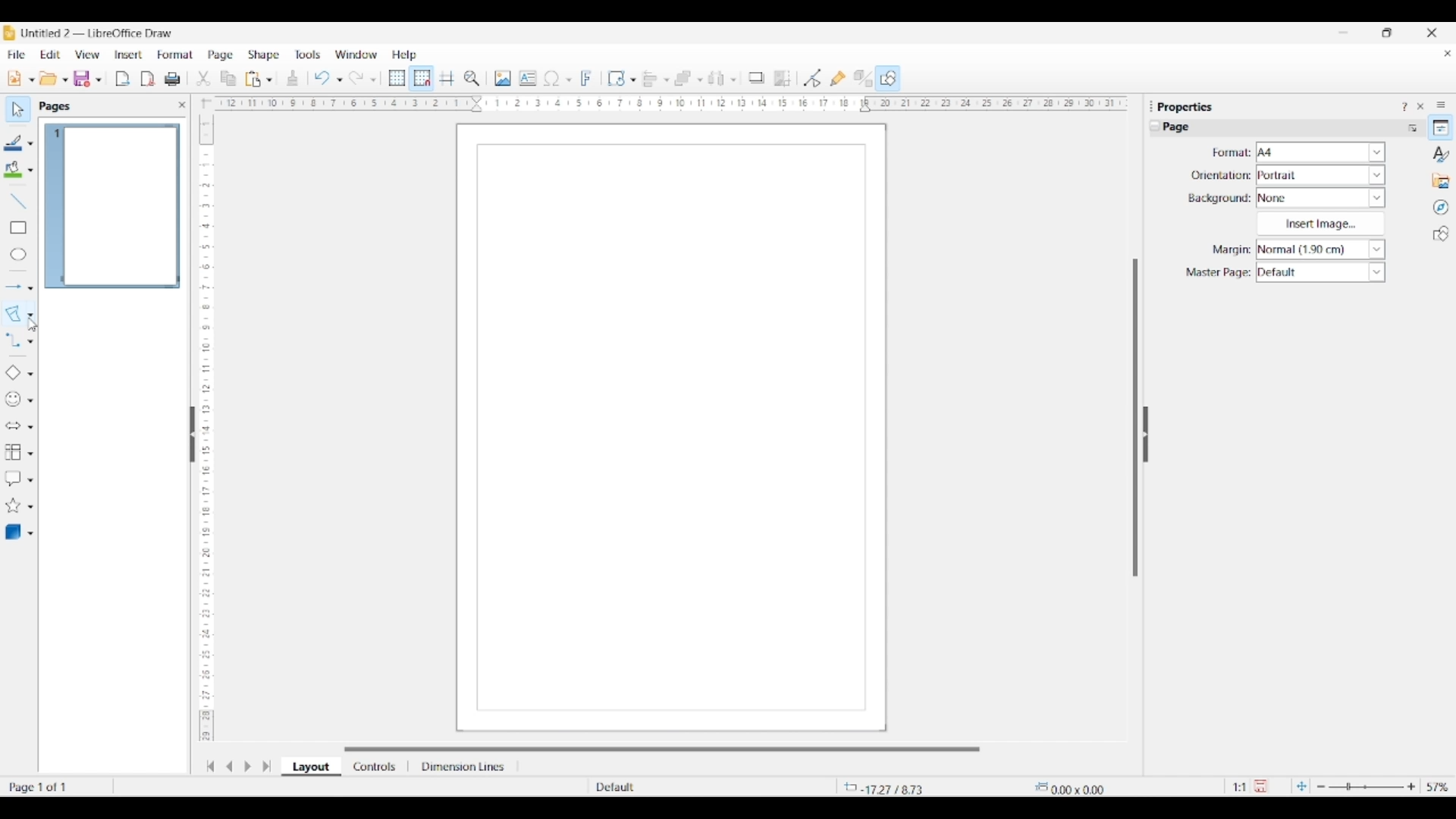  Describe the element at coordinates (1301, 786) in the screenshot. I see `Fit page to current window` at that location.